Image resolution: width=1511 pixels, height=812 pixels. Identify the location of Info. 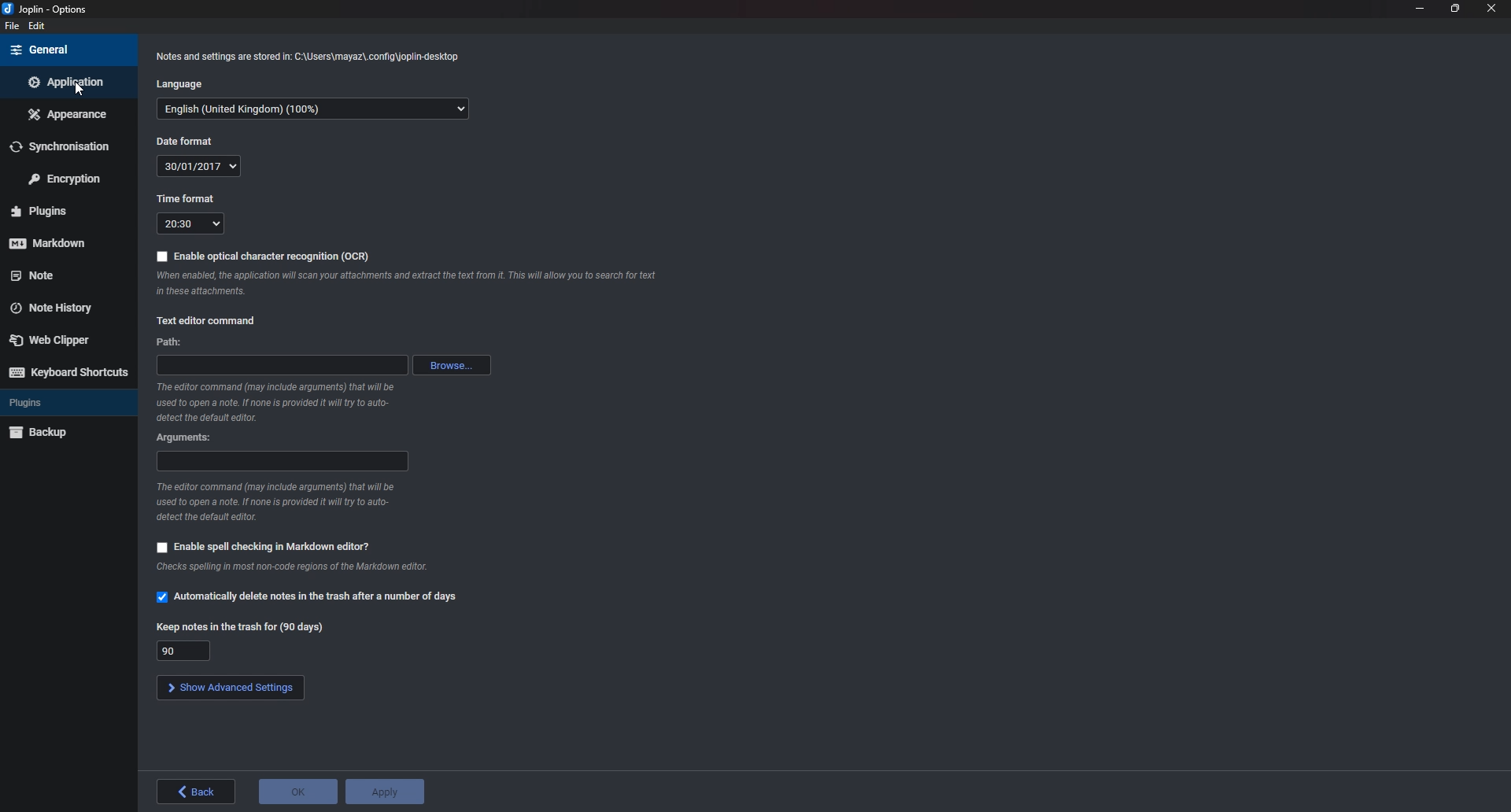
(407, 283).